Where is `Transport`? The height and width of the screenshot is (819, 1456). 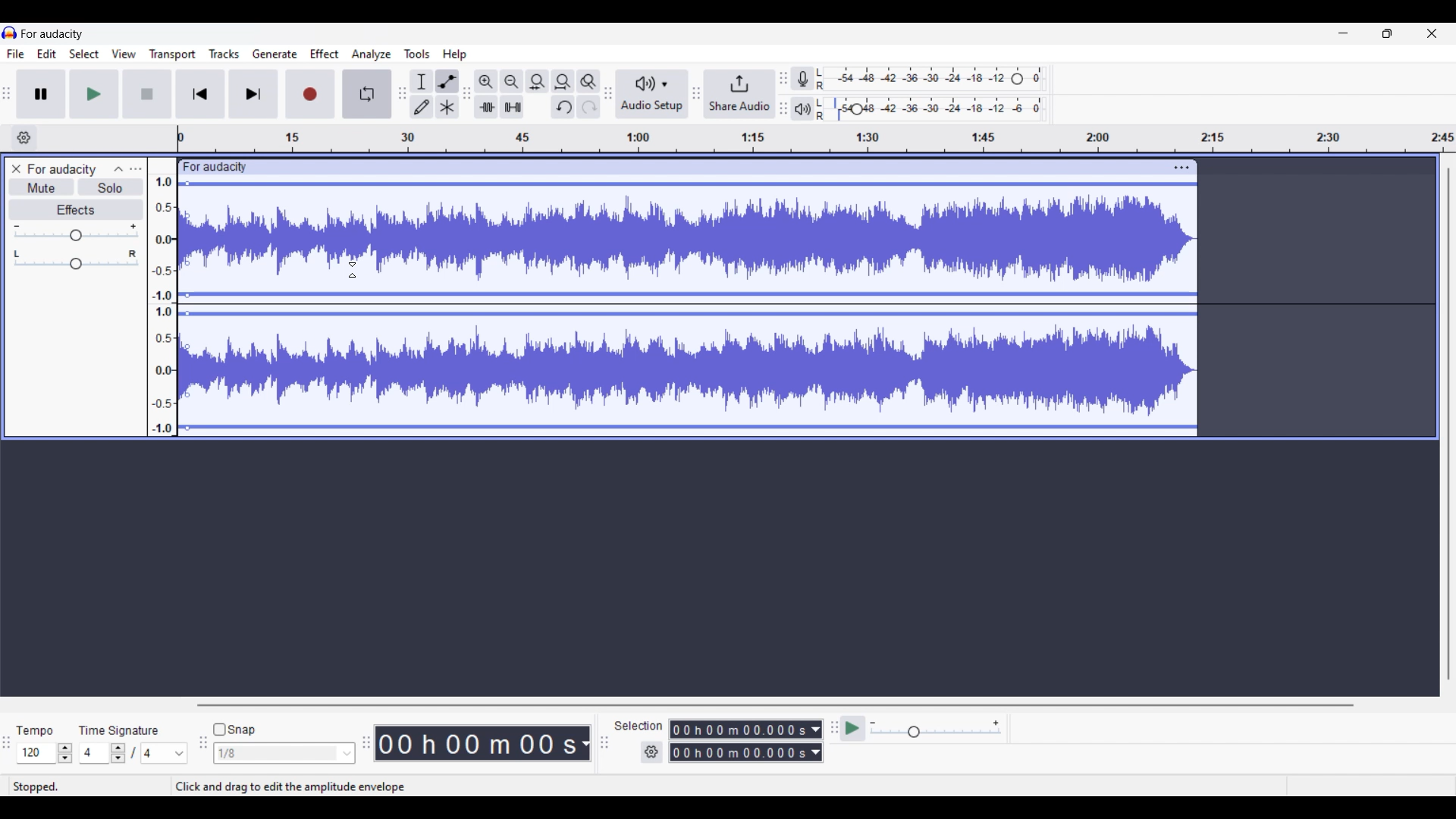
Transport is located at coordinates (172, 55).